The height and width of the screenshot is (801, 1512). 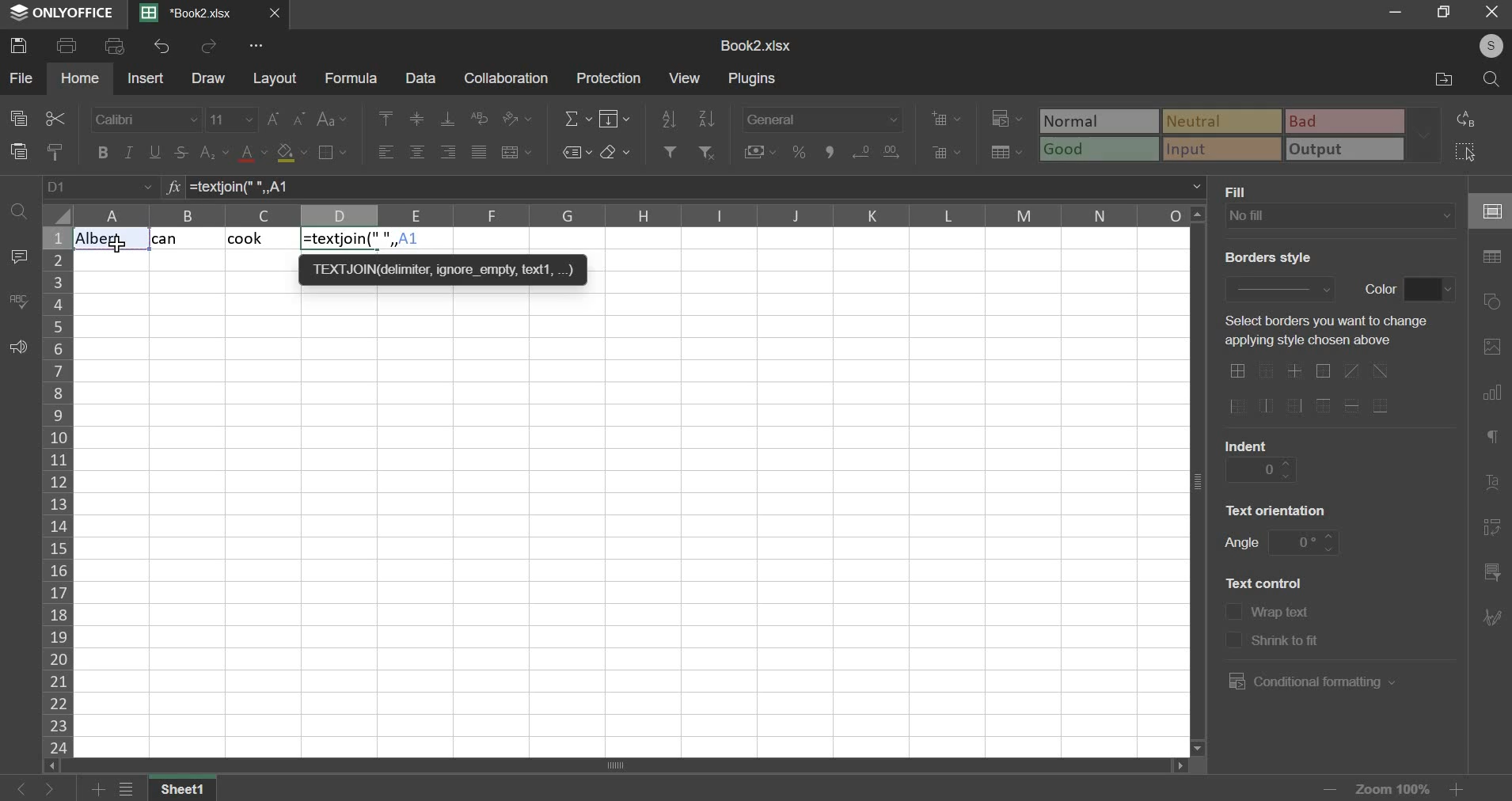 I want to click on clear, so click(x=615, y=152).